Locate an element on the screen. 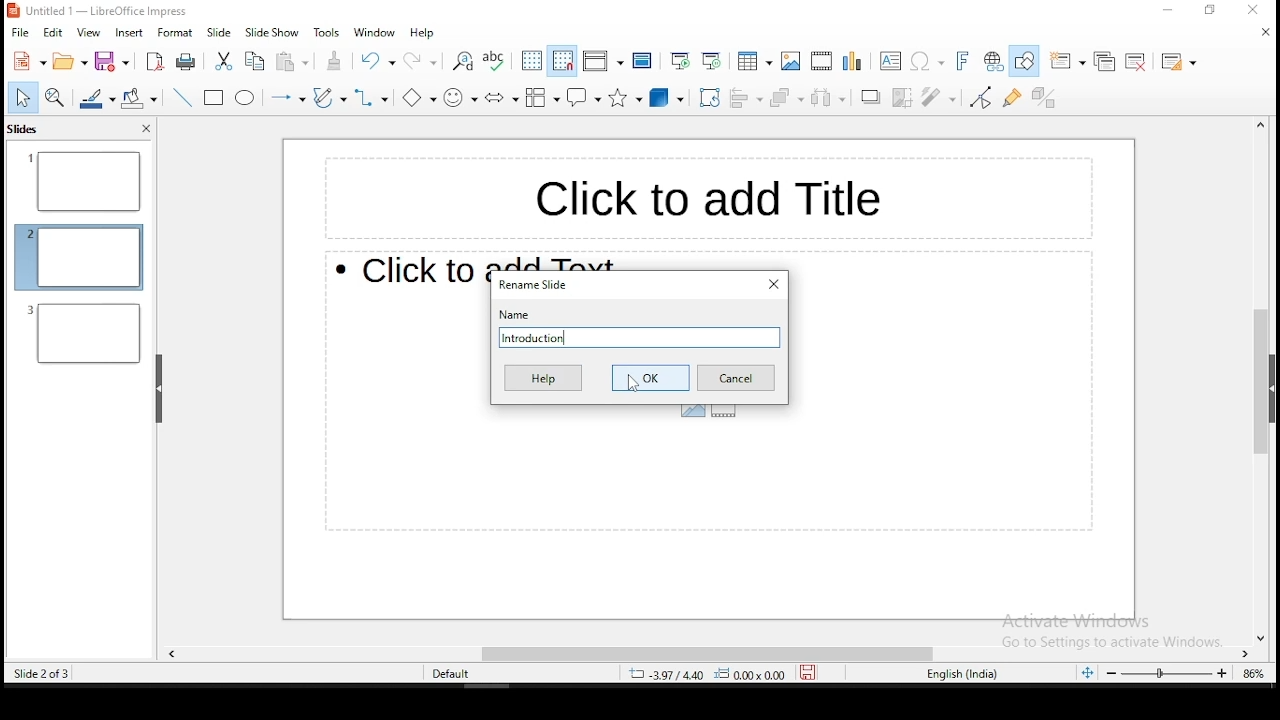 The width and height of the screenshot is (1280, 720). close pane is located at coordinates (145, 129).